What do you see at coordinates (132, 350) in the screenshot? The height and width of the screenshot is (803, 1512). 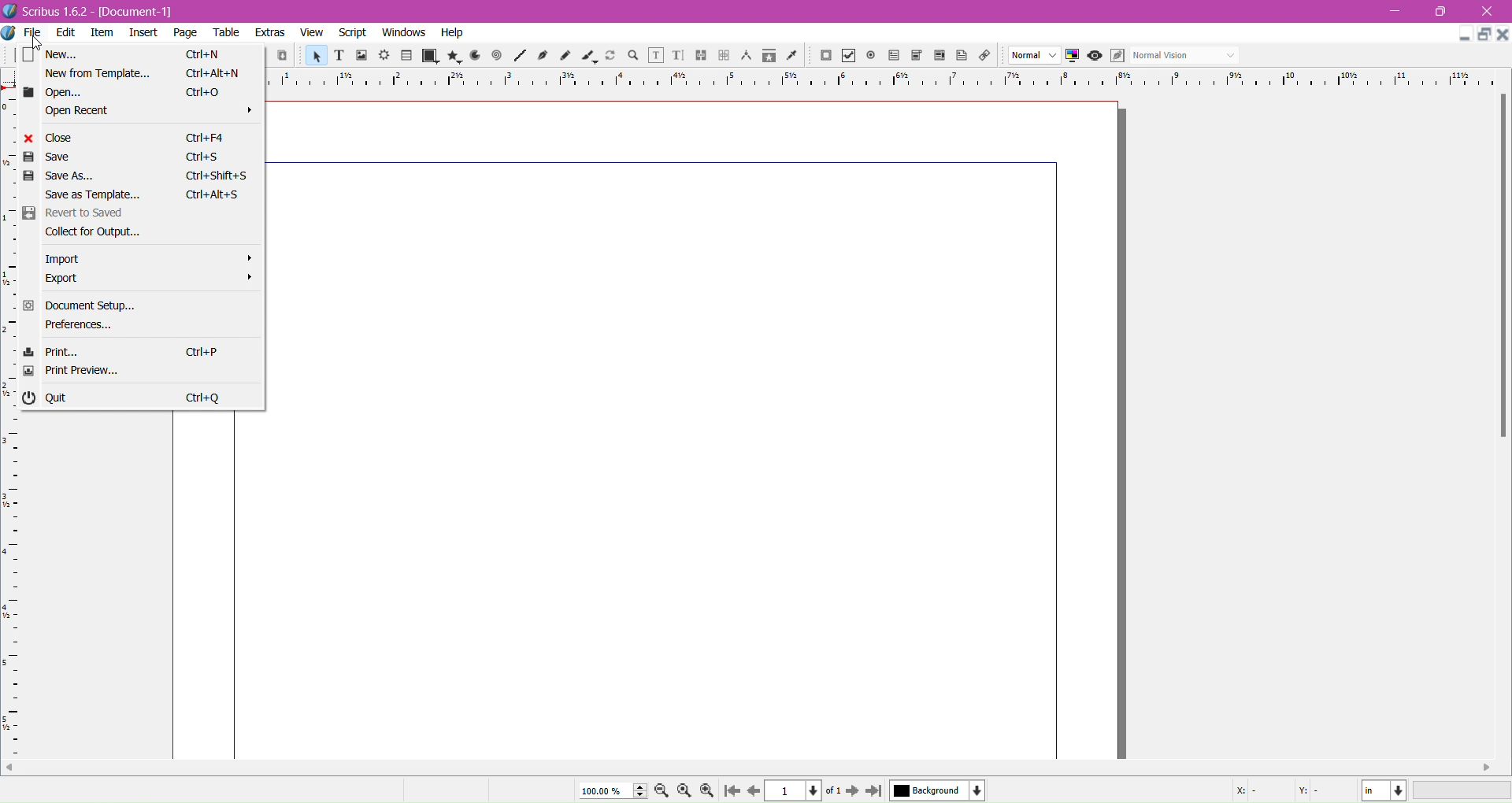 I see `Print` at bounding box center [132, 350].